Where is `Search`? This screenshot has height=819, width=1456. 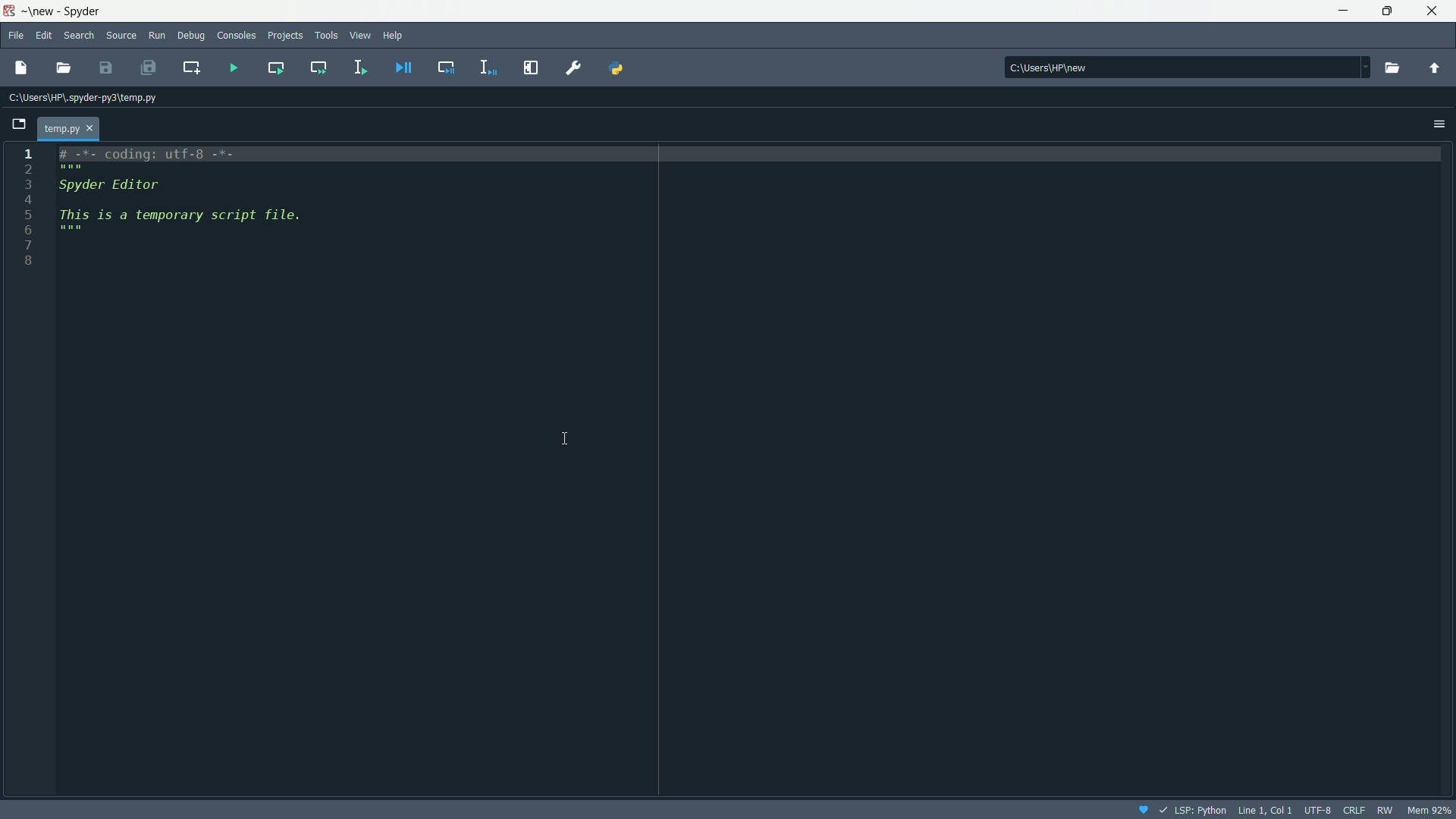
Search is located at coordinates (80, 36).